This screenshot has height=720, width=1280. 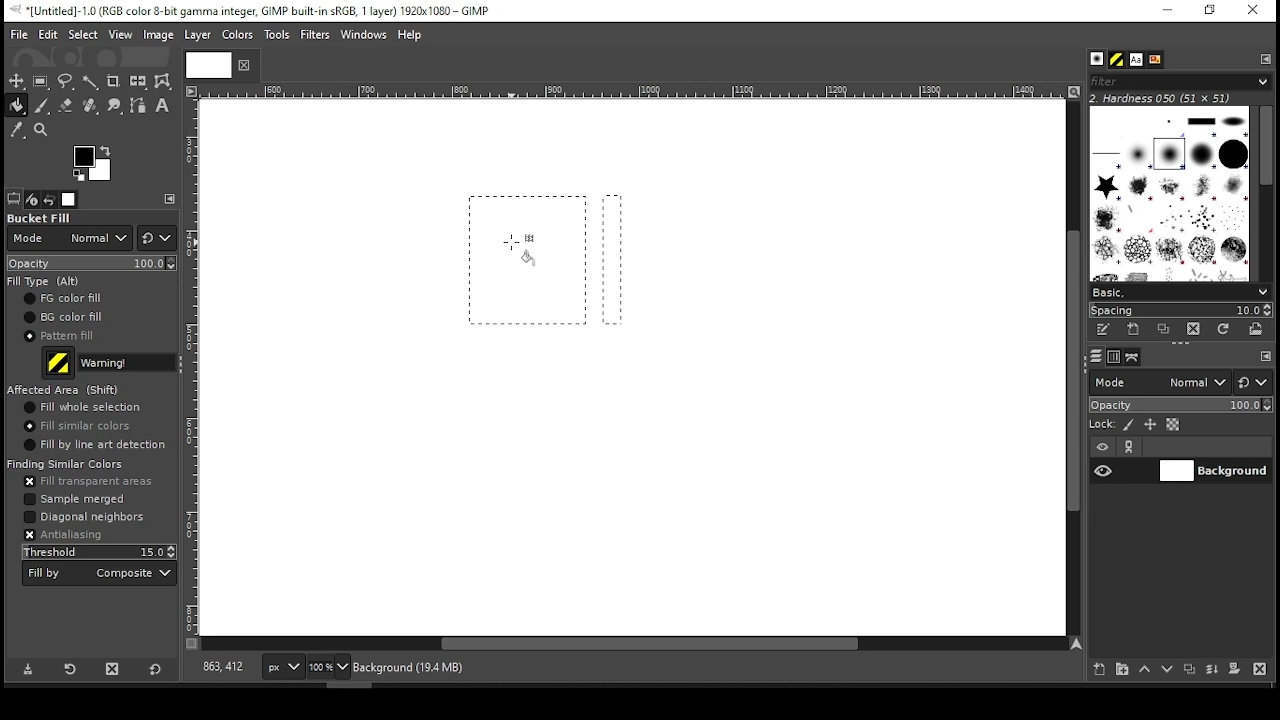 What do you see at coordinates (1234, 670) in the screenshot?
I see `mask  layer` at bounding box center [1234, 670].